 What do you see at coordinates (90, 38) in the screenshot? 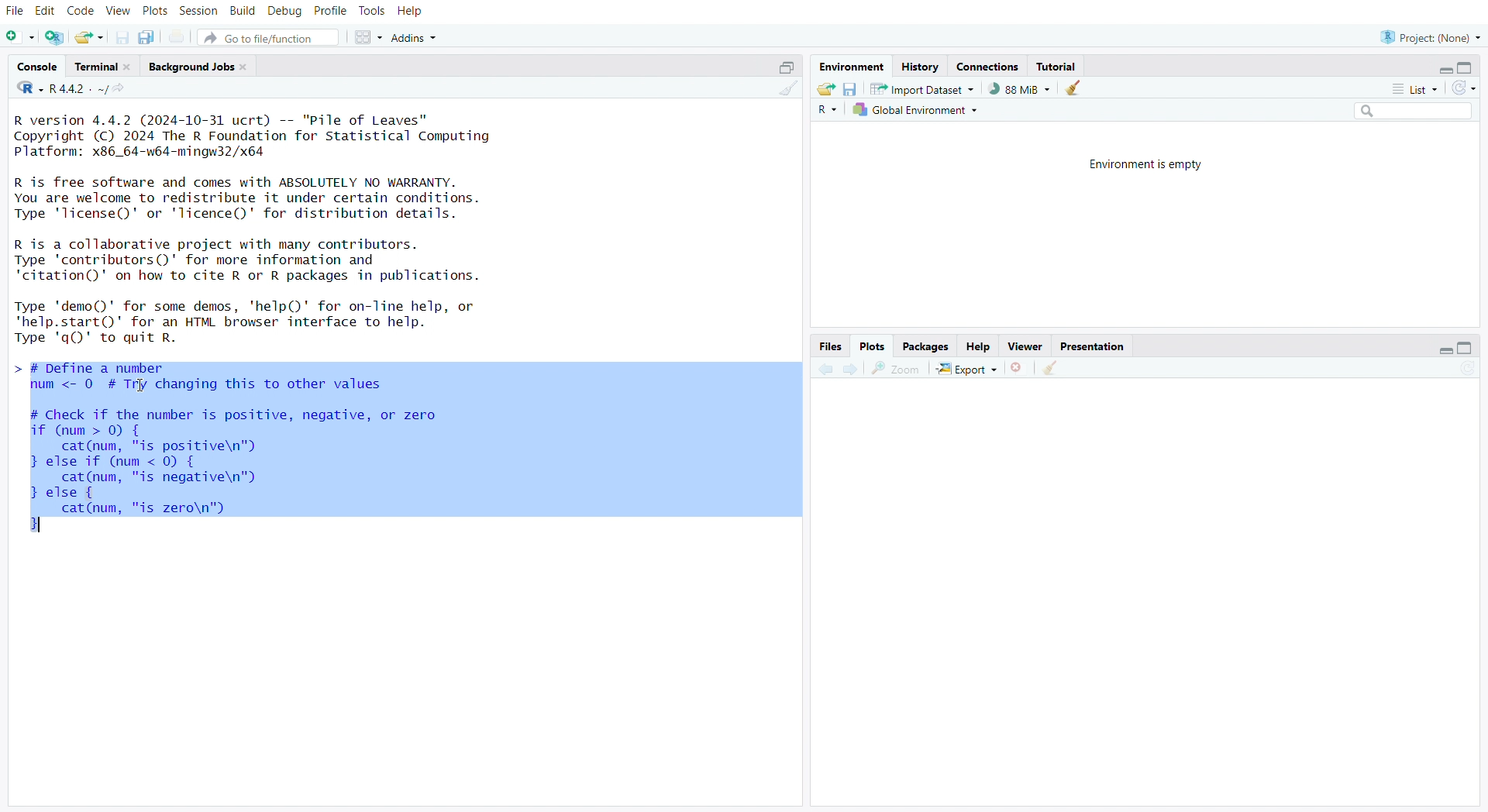
I see `open an existing file` at bounding box center [90, 38].